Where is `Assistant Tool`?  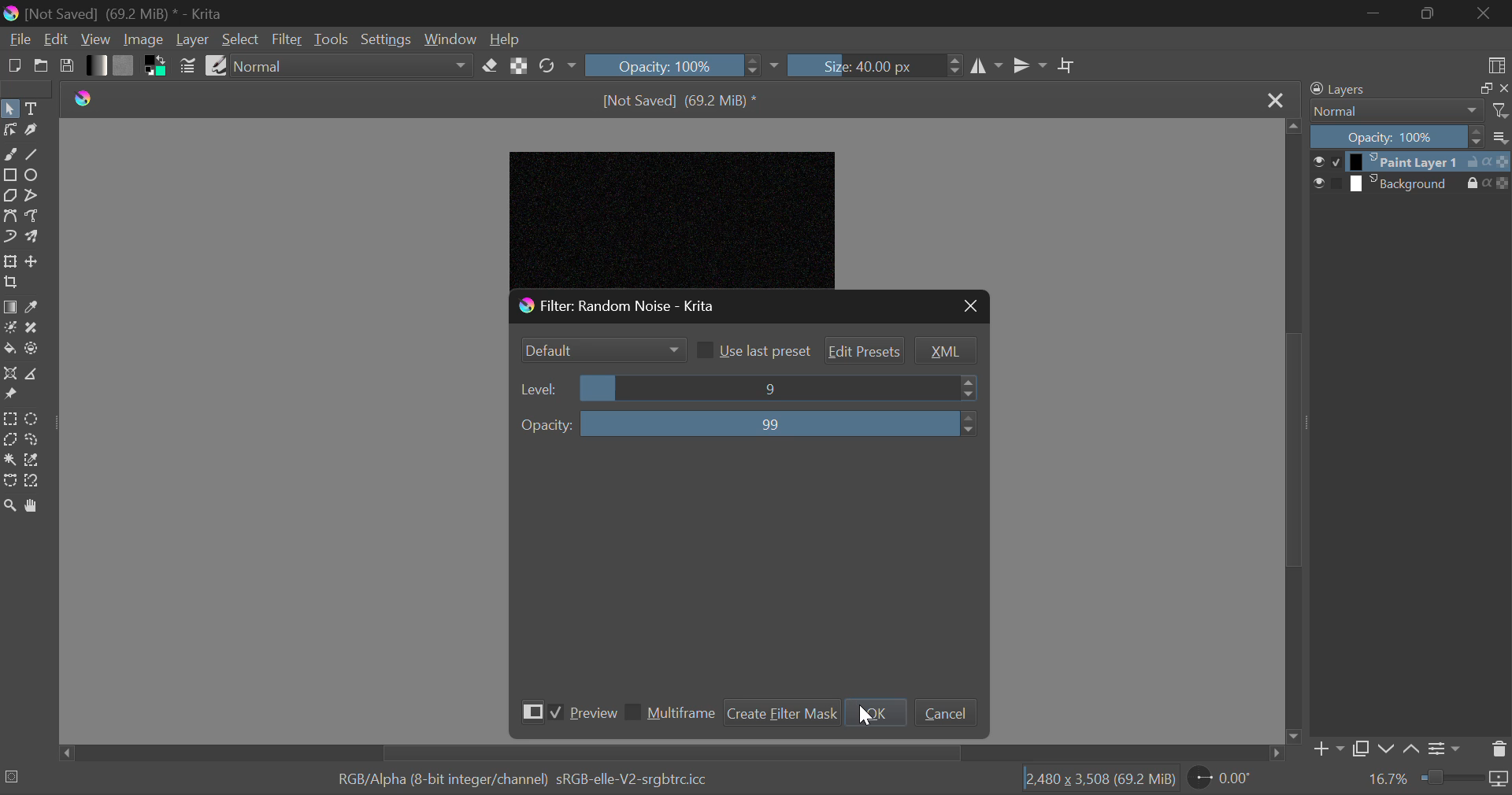 Assistant Tool is located at coordinates (9, 373).